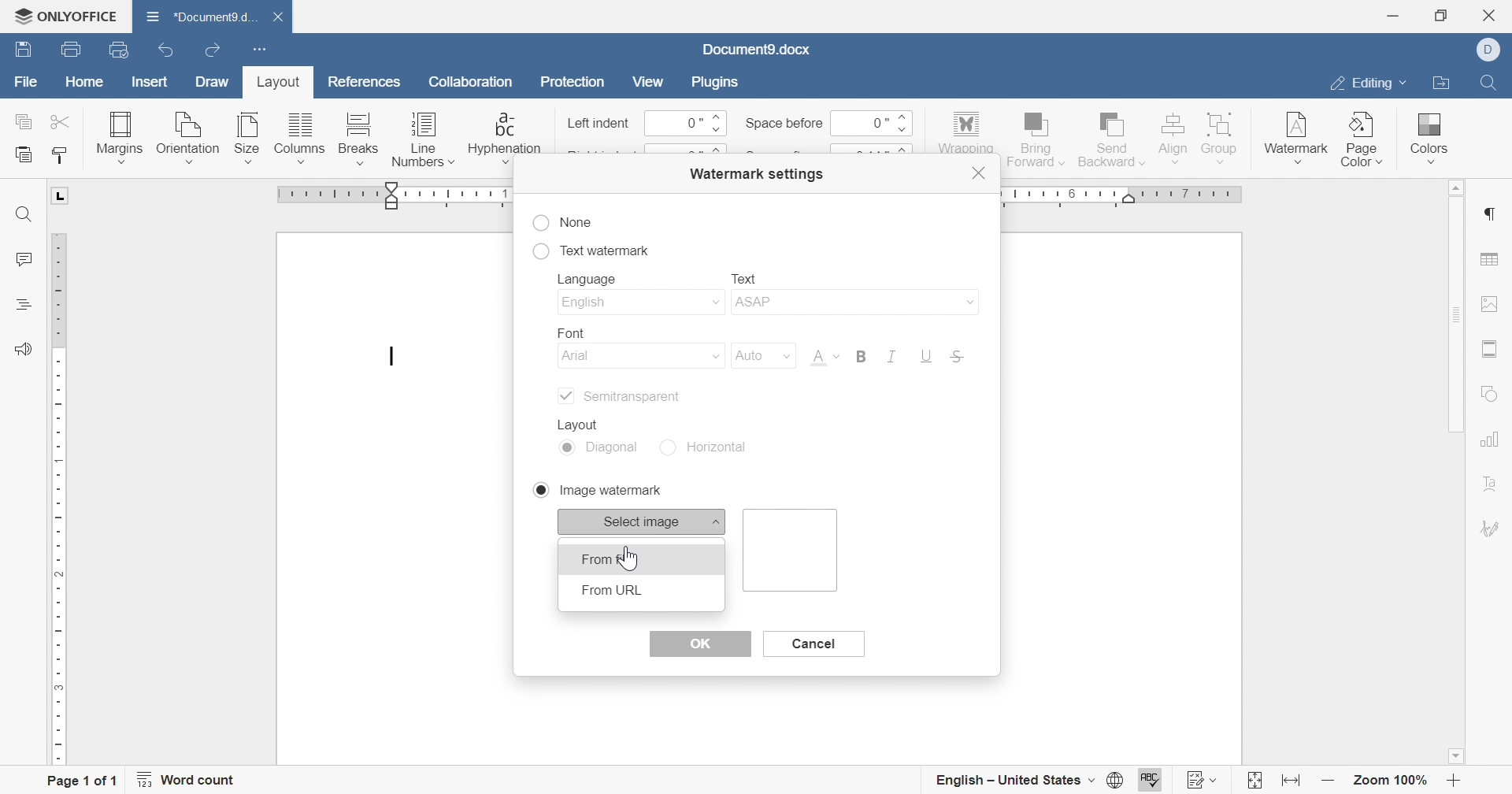 Image resolution: width=1512 pixels, height=794 pixels. I want to click on wrapping, so click(965, 133).